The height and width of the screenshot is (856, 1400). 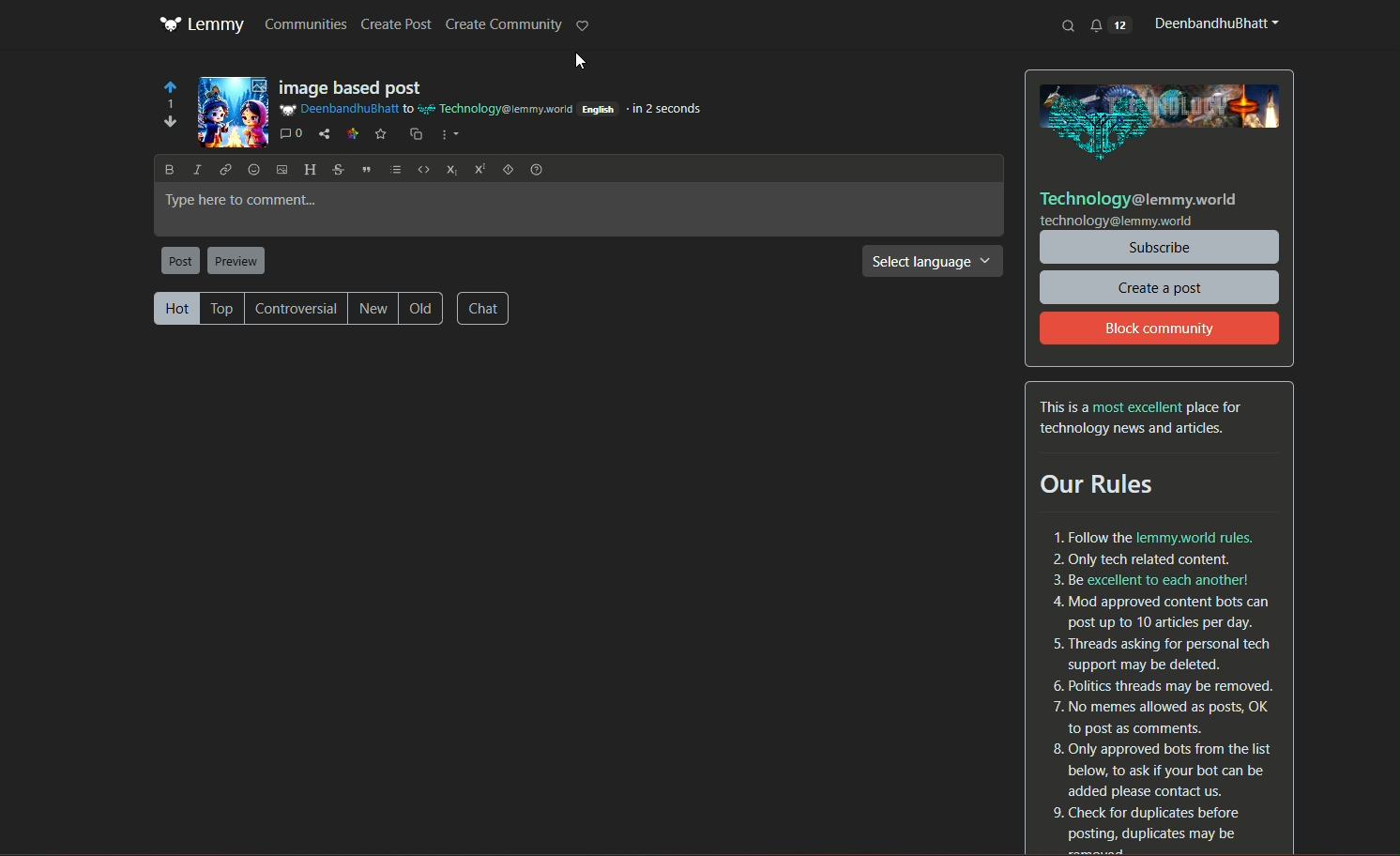 What do you see at coordinates (1160, 685) in the screenshot?
I see `6. Politics threads may be removed.` at bounding box center [1160, 685].